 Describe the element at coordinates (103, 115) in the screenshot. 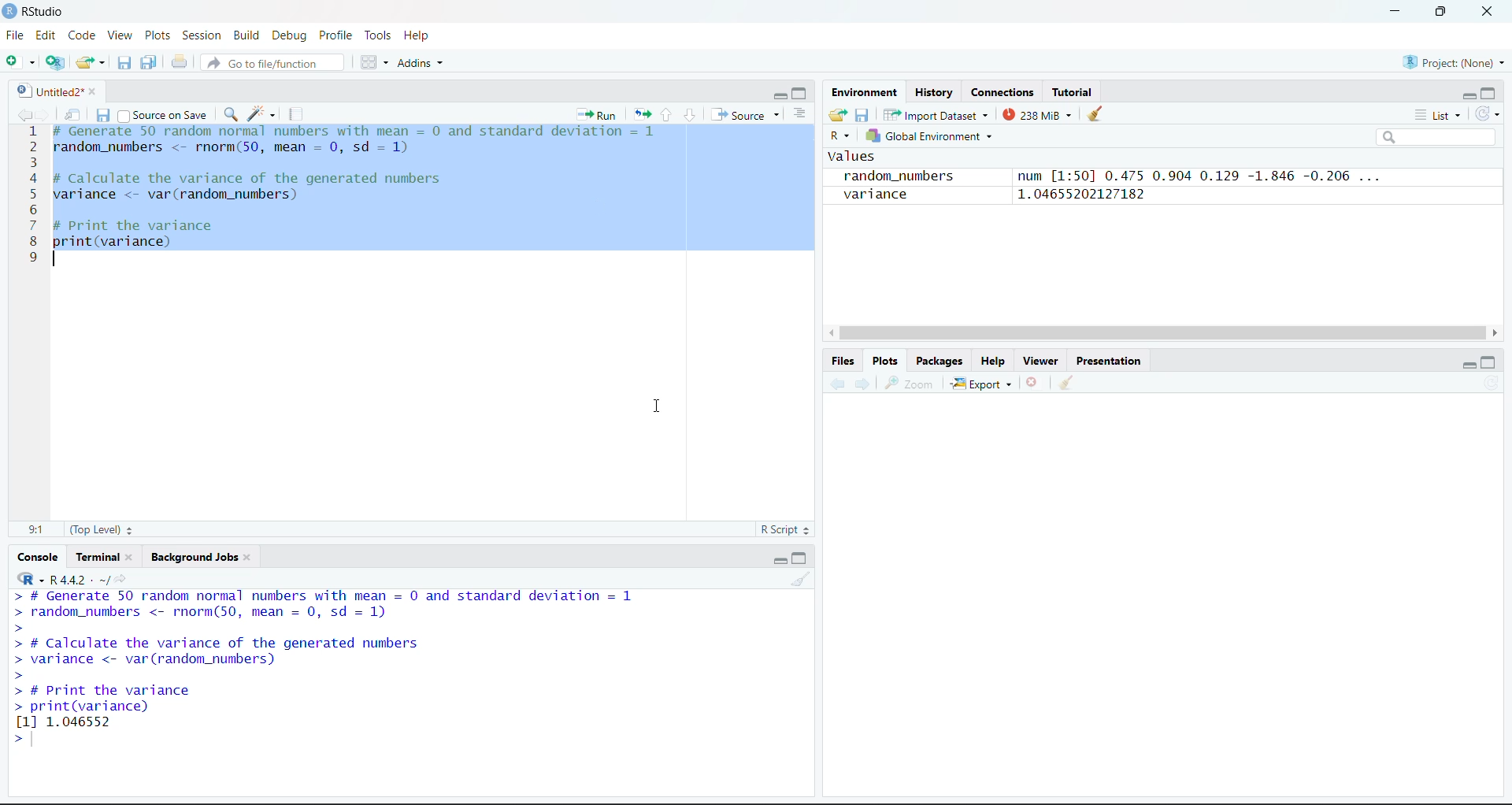

I see `save` at that location.